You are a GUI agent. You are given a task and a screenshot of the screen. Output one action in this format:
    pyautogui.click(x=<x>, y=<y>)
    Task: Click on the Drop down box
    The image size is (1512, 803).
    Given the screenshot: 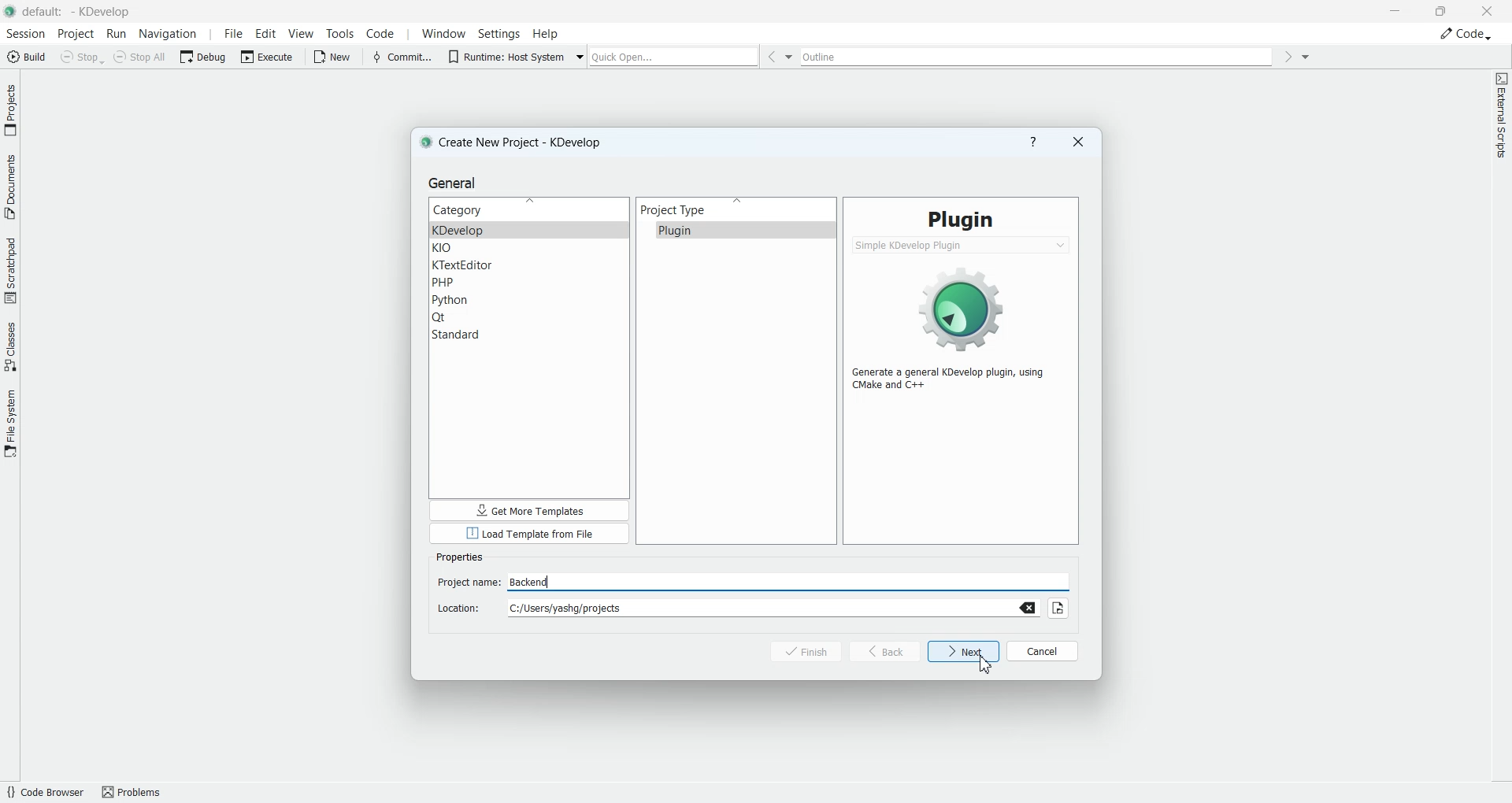 What is the action you would take?
    pyautogui.click(x=791, y=57)
    